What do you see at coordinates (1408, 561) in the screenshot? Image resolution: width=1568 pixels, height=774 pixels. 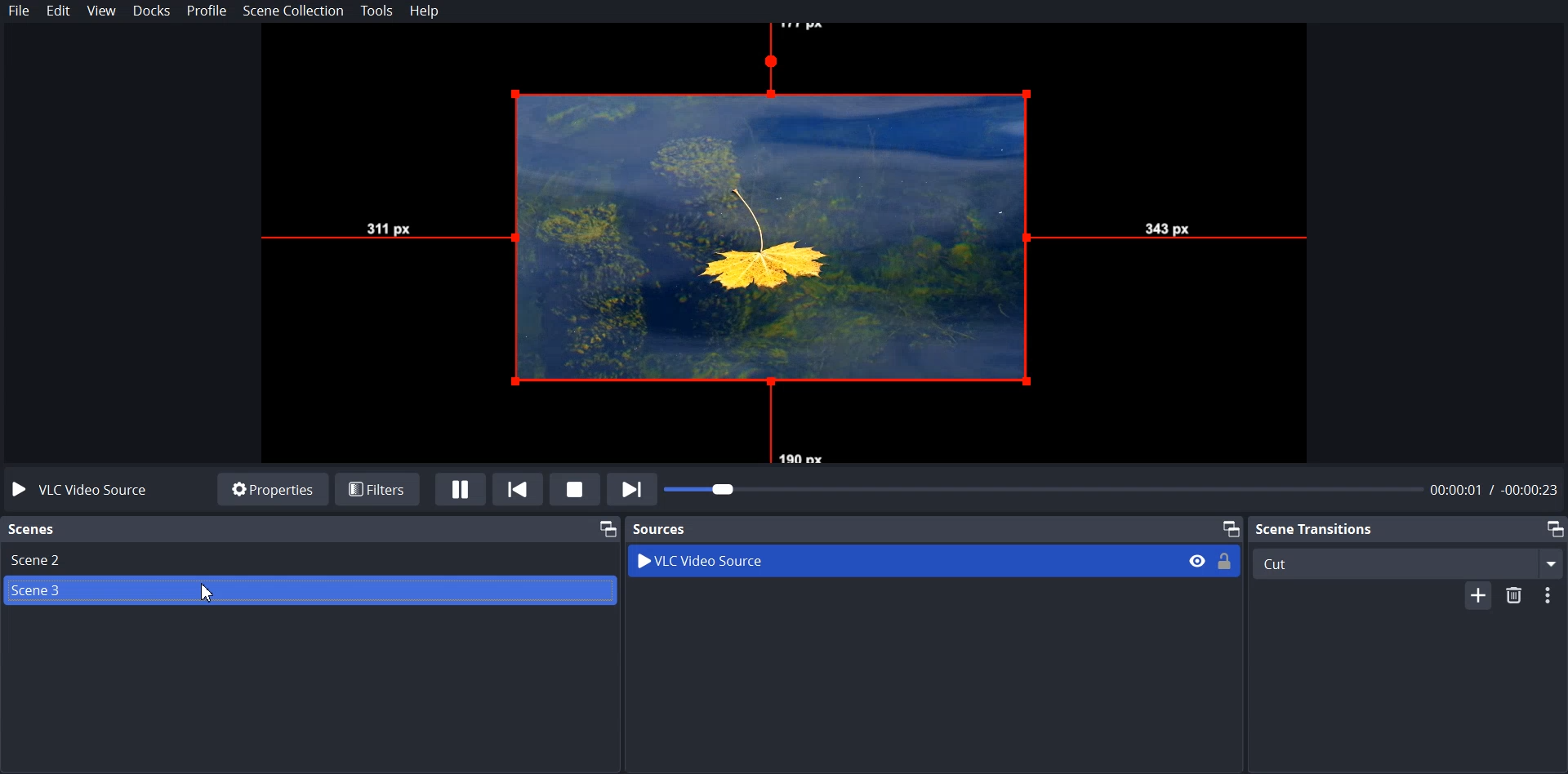 I see `Cut` at bounding box center [1408, 561].